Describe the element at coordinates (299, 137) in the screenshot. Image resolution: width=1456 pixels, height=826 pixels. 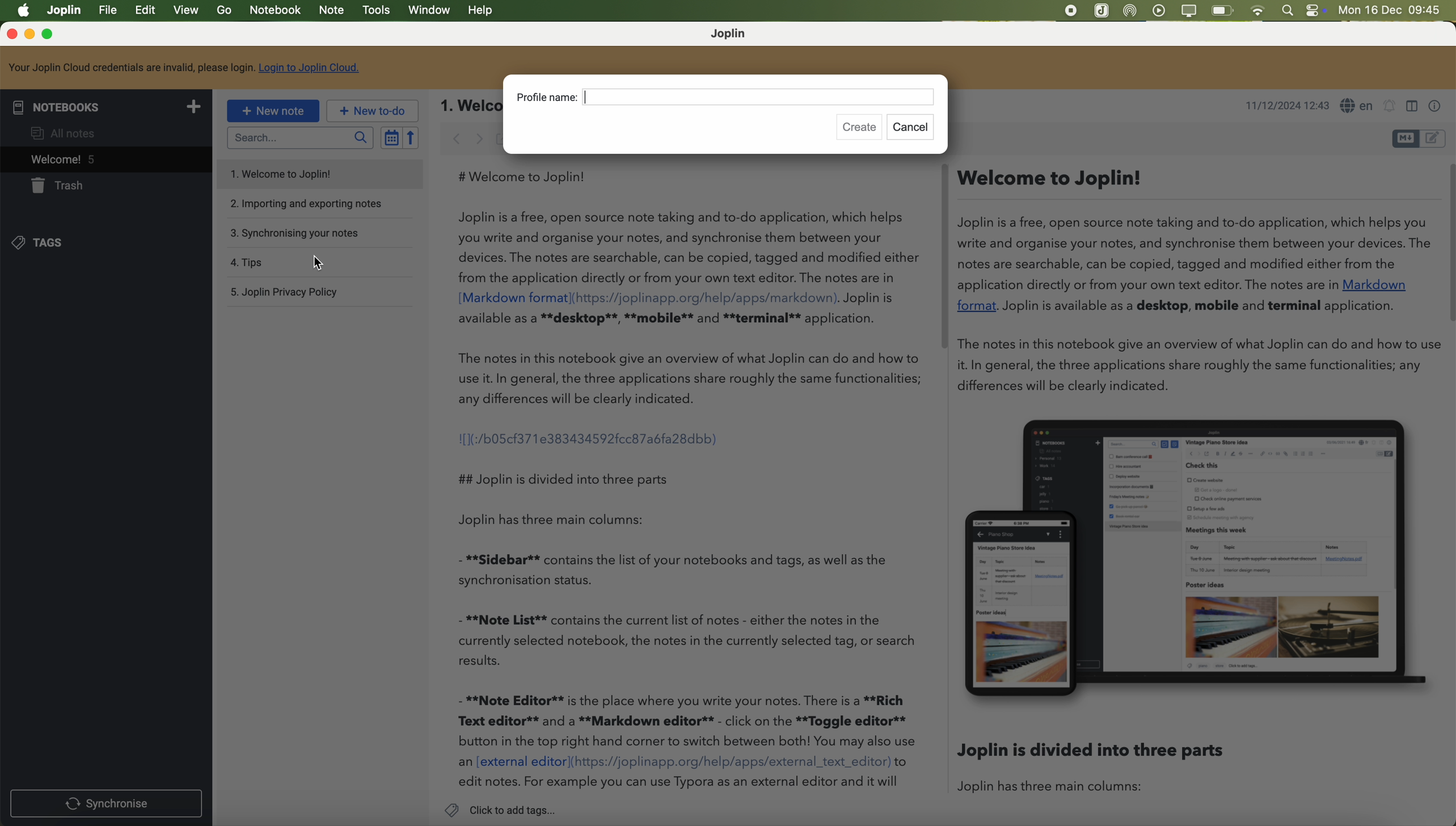
I see `search bar` at that location.